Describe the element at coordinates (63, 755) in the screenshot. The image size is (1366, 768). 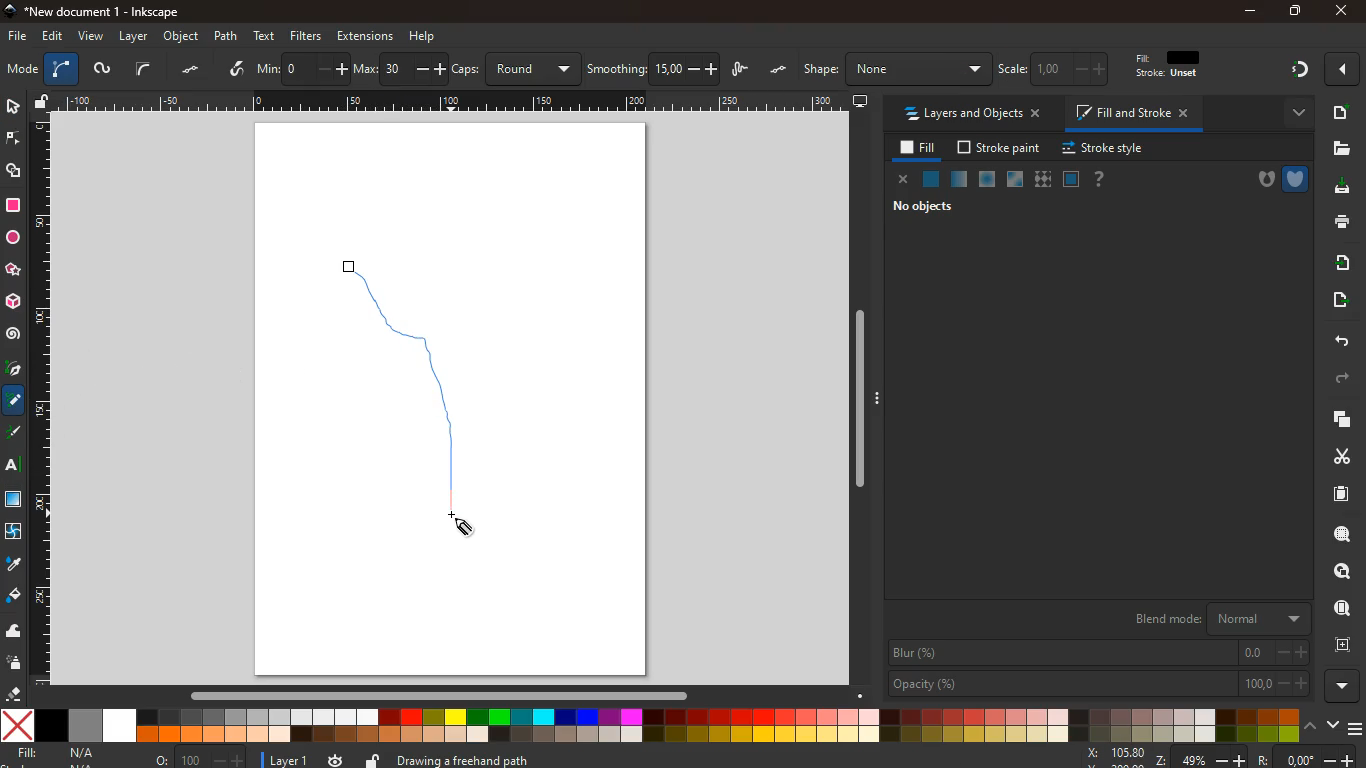
I see `fill` at that location.